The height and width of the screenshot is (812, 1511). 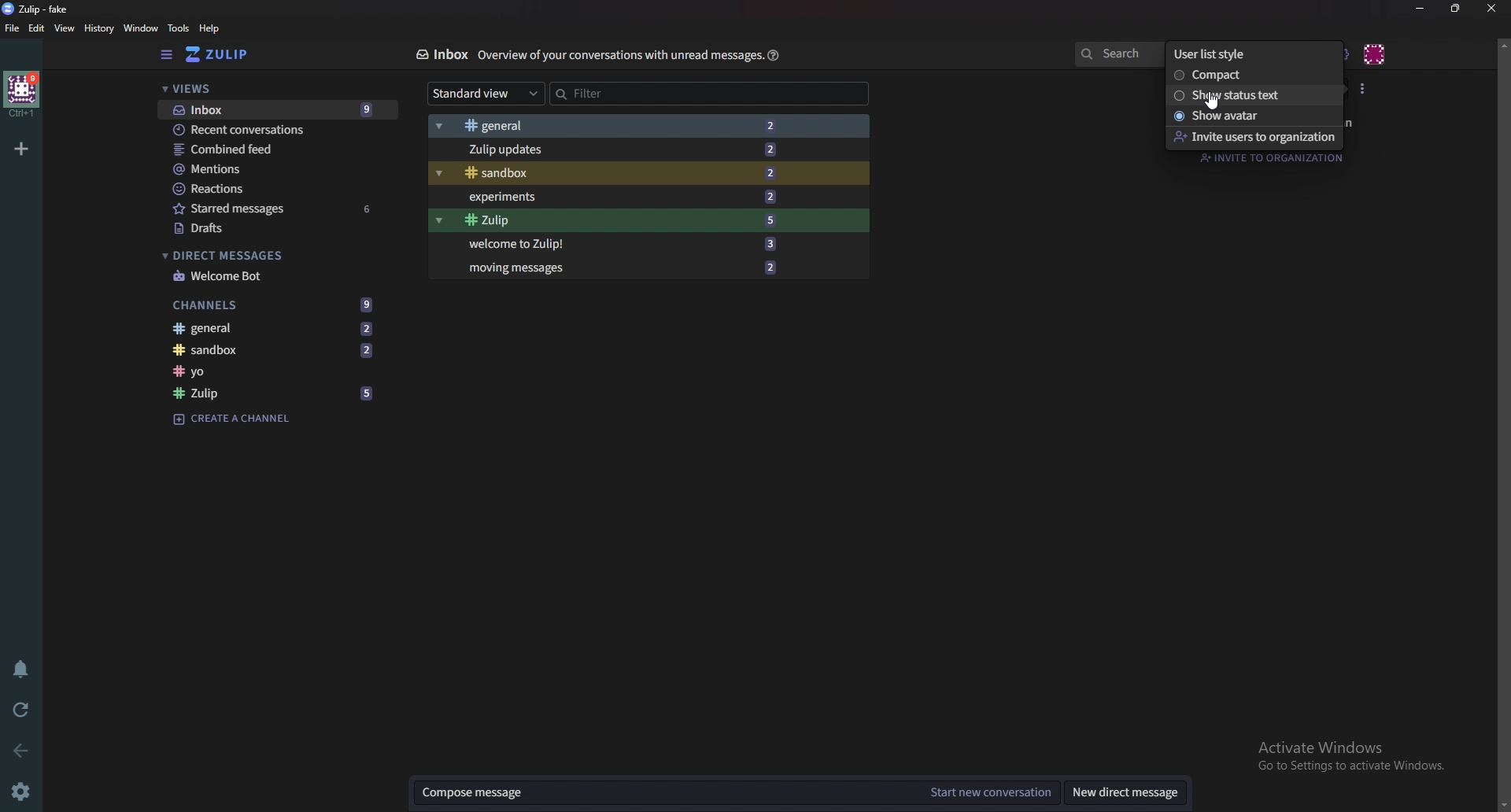 I want to click on Close, so click(x=1493, y=10).